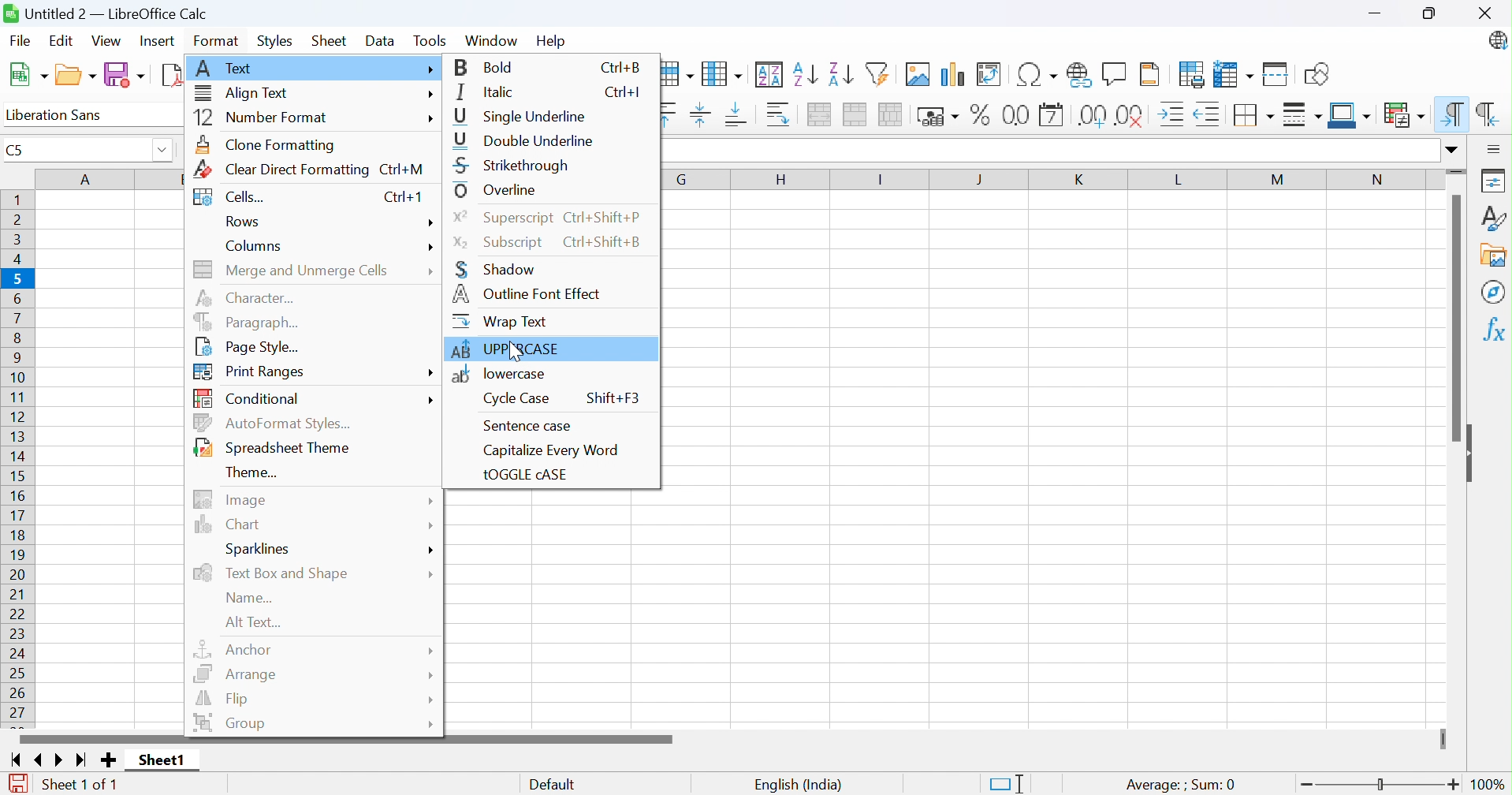 Image resolution: width=1512 pixels, height=795 pixels. Describe the element at coordinates (723, 73) in the screenshot. I see `Column` at that location.